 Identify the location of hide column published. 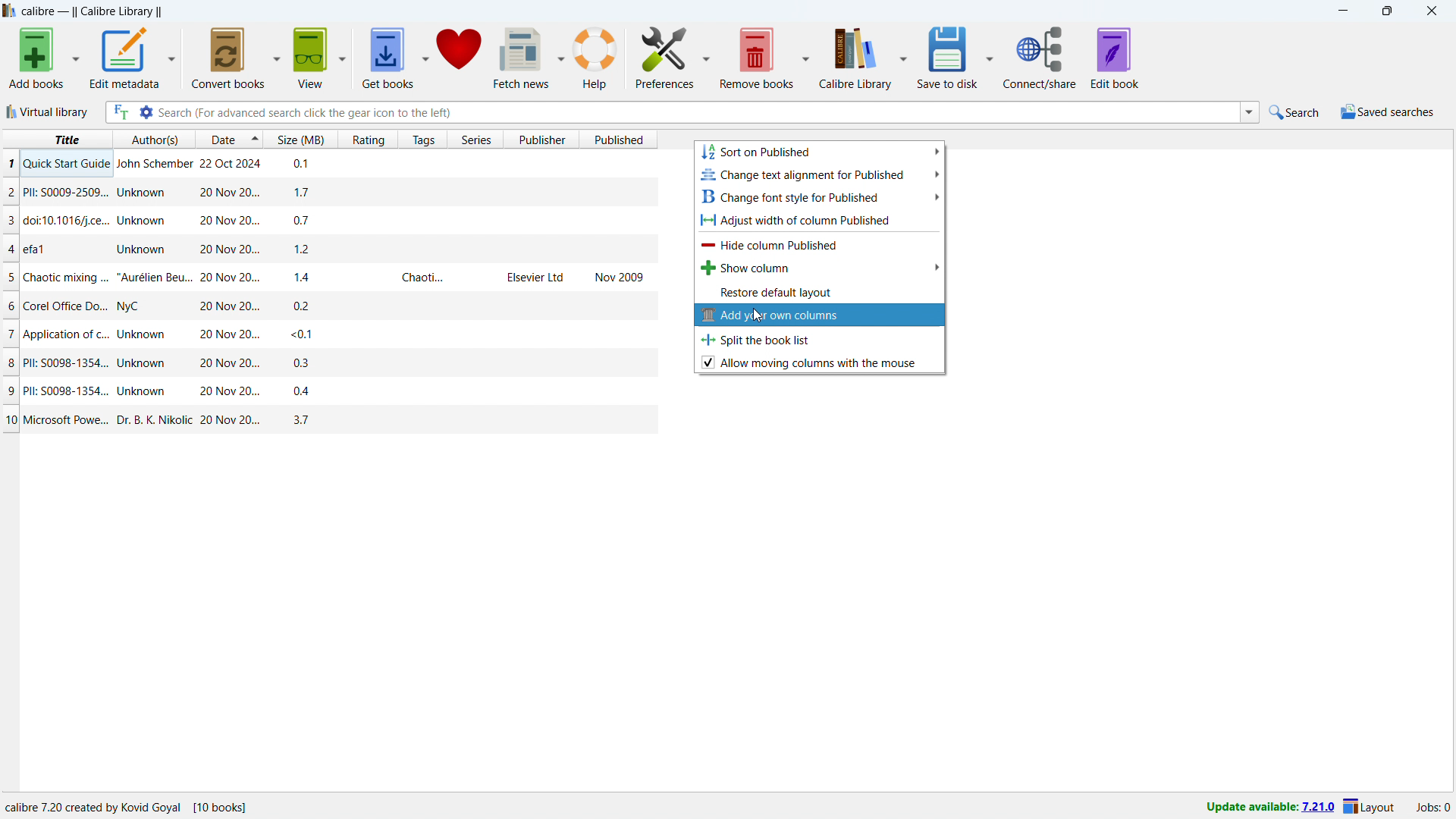
(820, 243).